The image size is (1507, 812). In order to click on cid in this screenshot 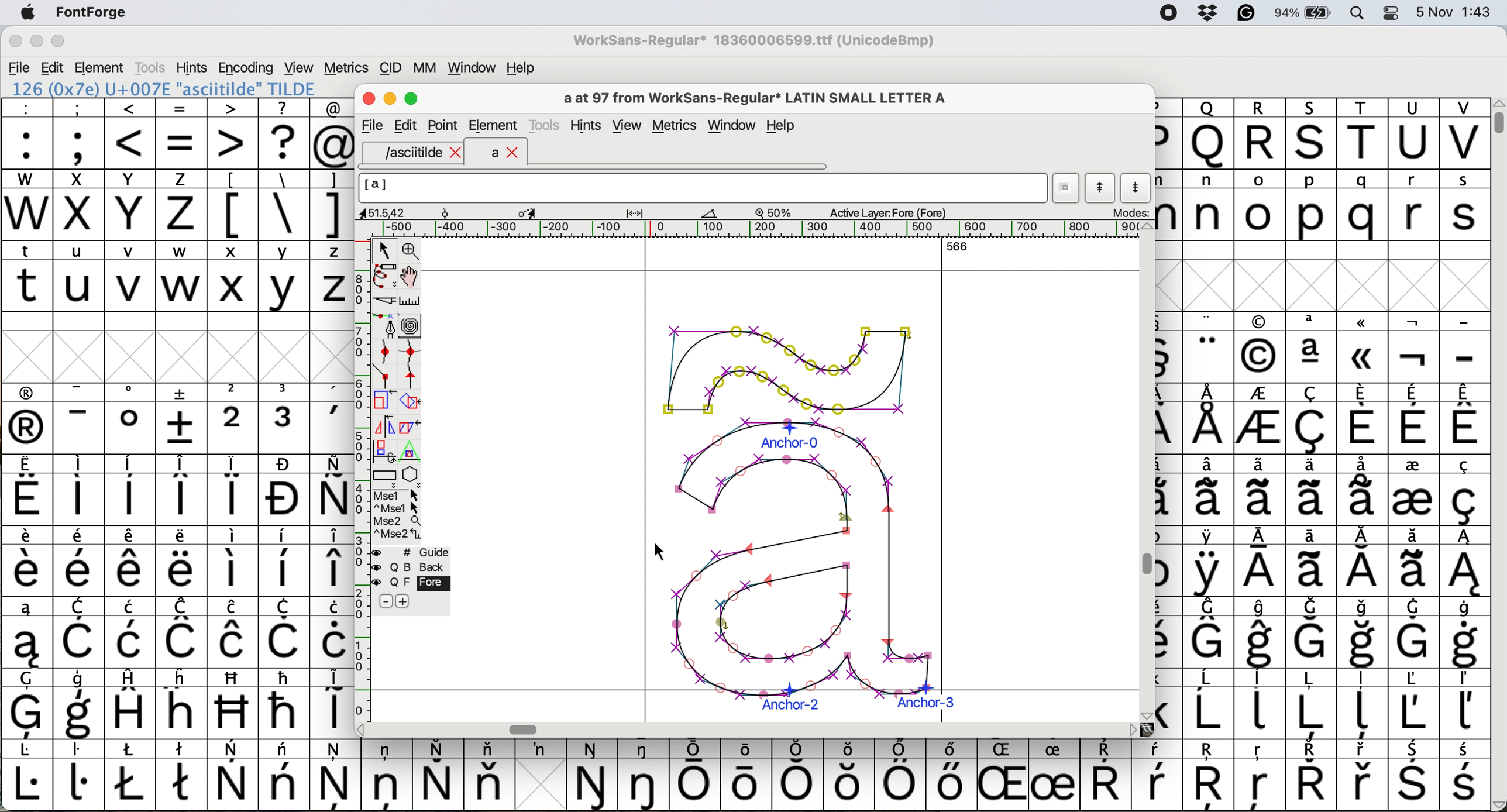, I will do `click(389, 68)`.